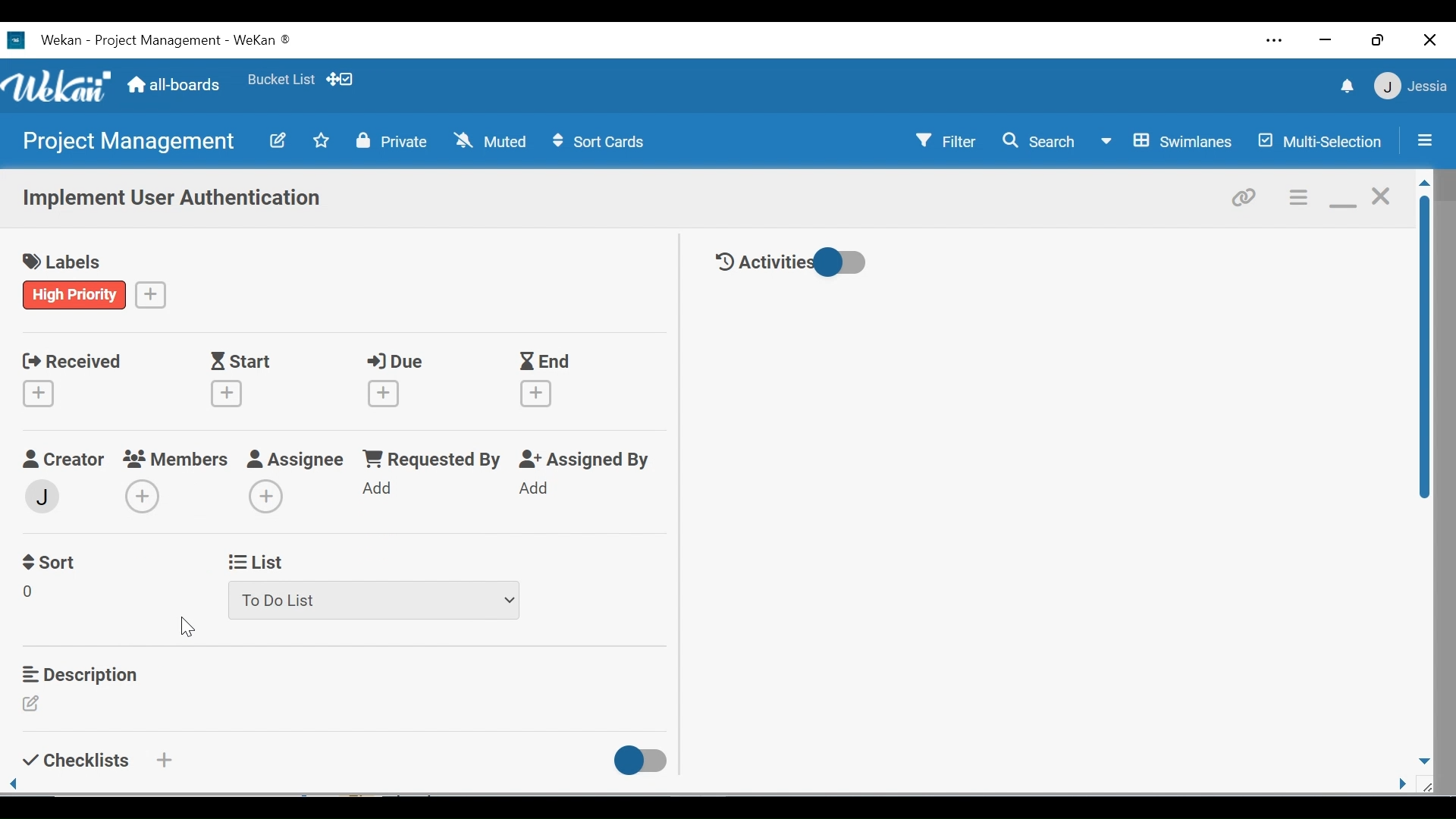 The height and width of the screenshot is (819, 1456). Describe the element at coordinates (163, 41) in the screenshot. I see `Wekan - Project Management - WeKan ®` at that location.